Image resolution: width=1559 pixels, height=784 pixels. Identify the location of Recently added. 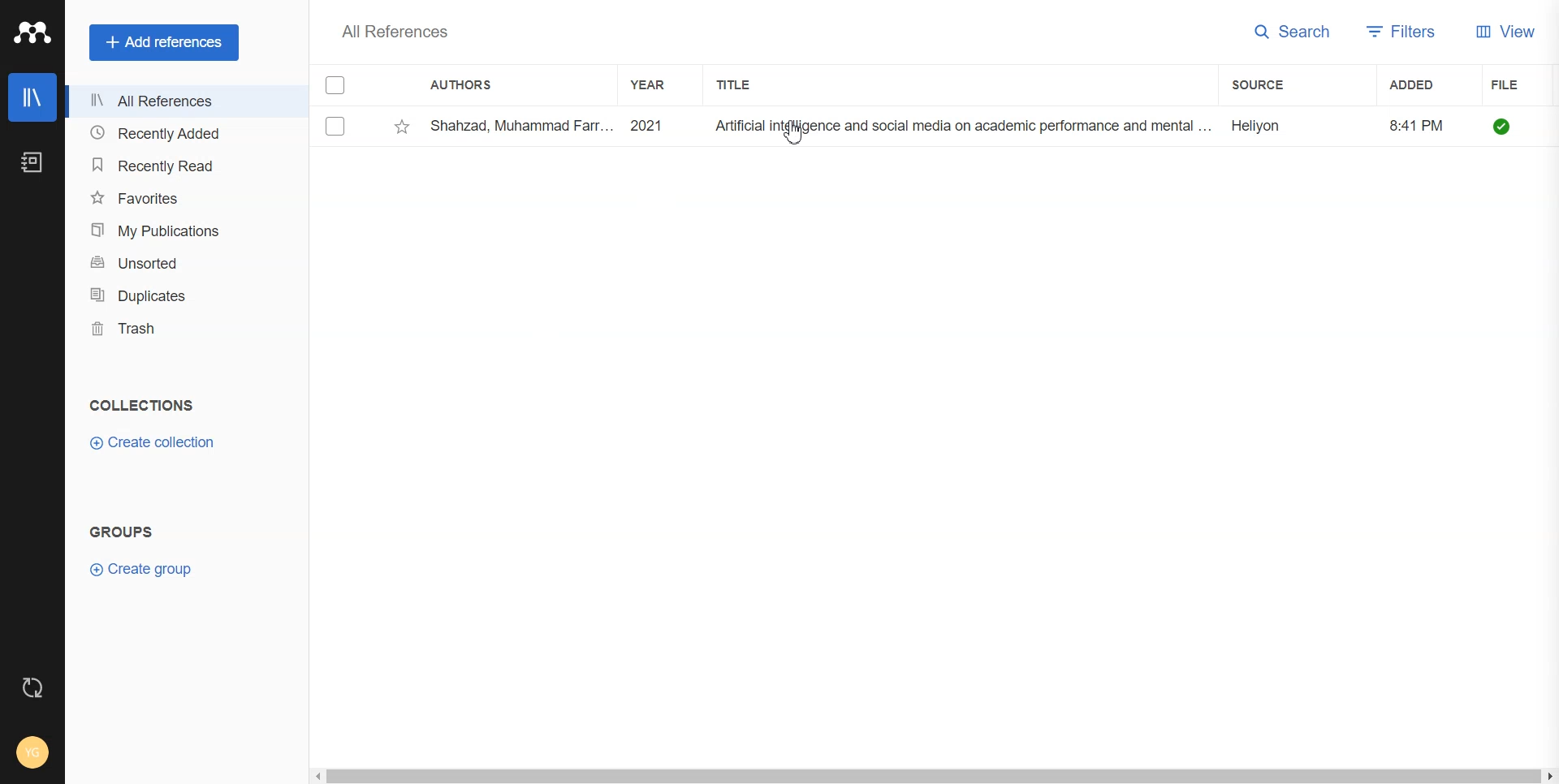
(183, 135).